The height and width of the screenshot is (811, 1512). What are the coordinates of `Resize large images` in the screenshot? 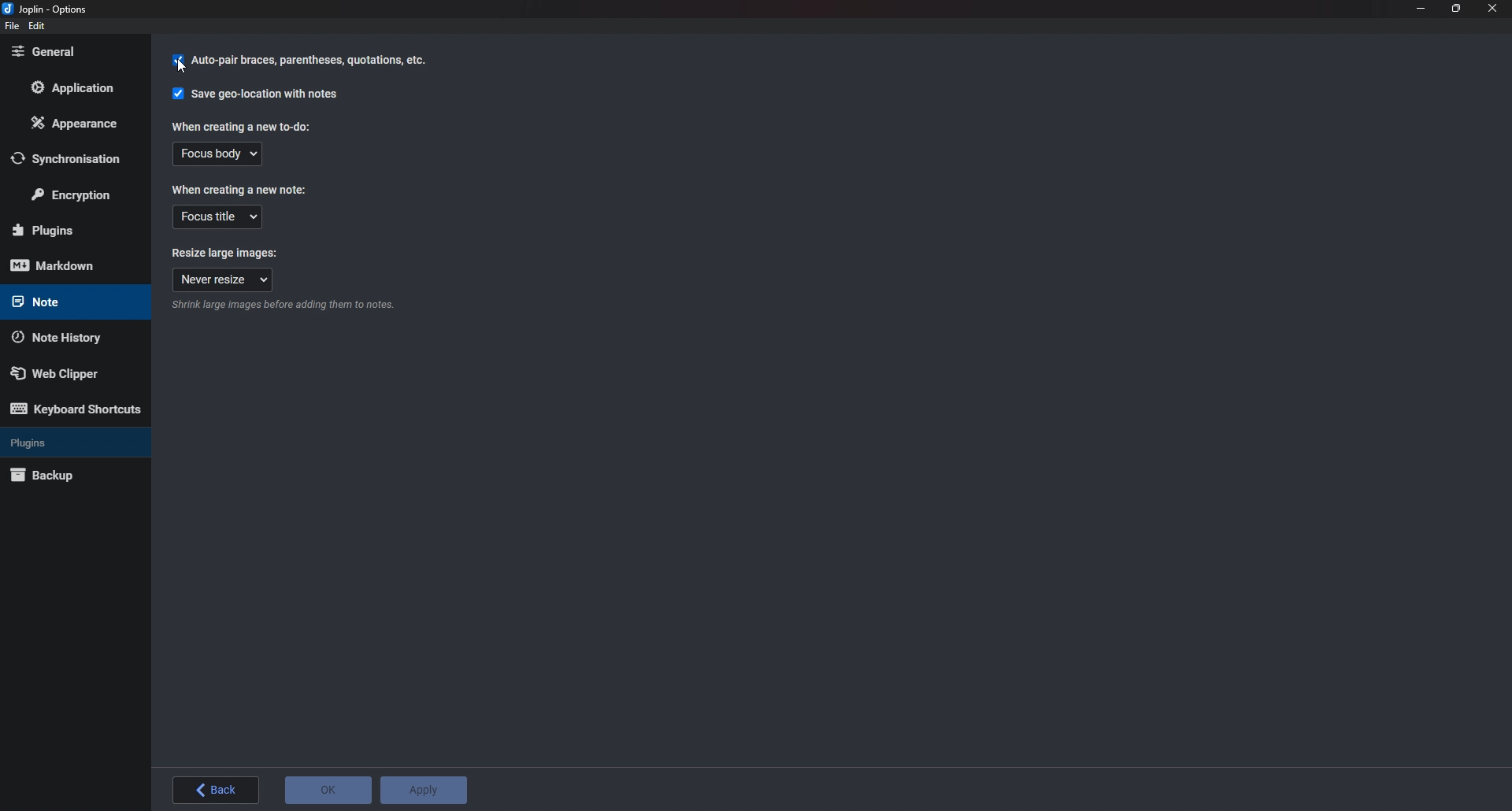 It's located at (228, 251).